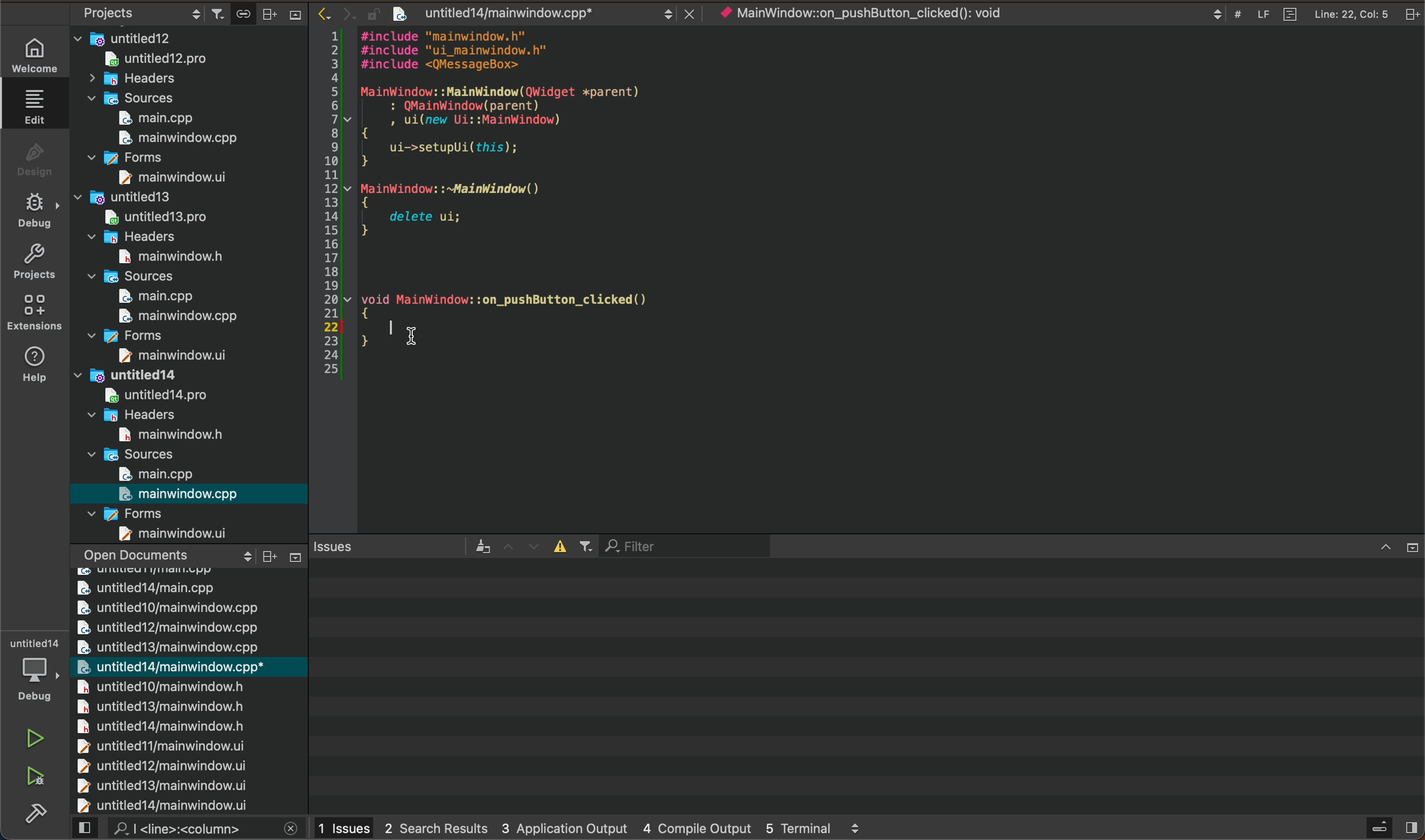 This screenshot has width=1425, height=840. Describe the element at coordinates (166, 357) in the screenshot. I see `main window` at that location.